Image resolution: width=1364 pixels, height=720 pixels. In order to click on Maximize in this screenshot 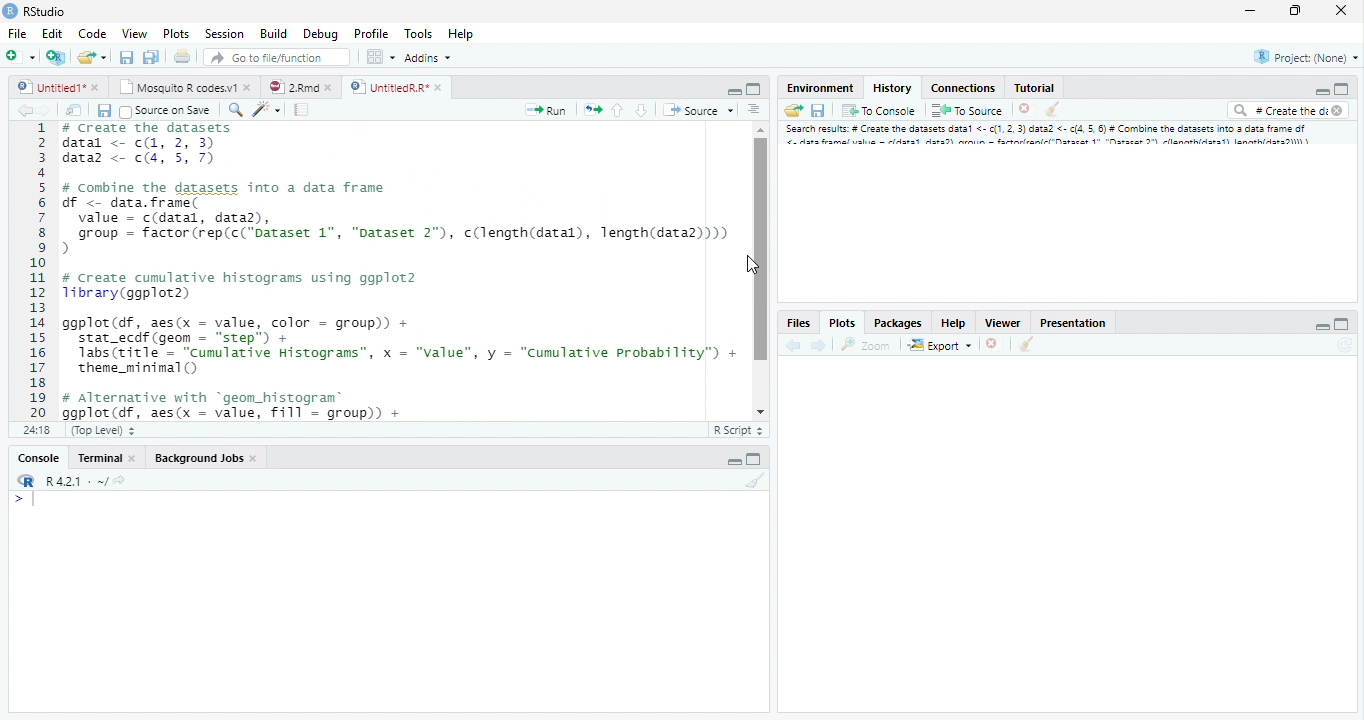, I will do `click(1340, 90)`.